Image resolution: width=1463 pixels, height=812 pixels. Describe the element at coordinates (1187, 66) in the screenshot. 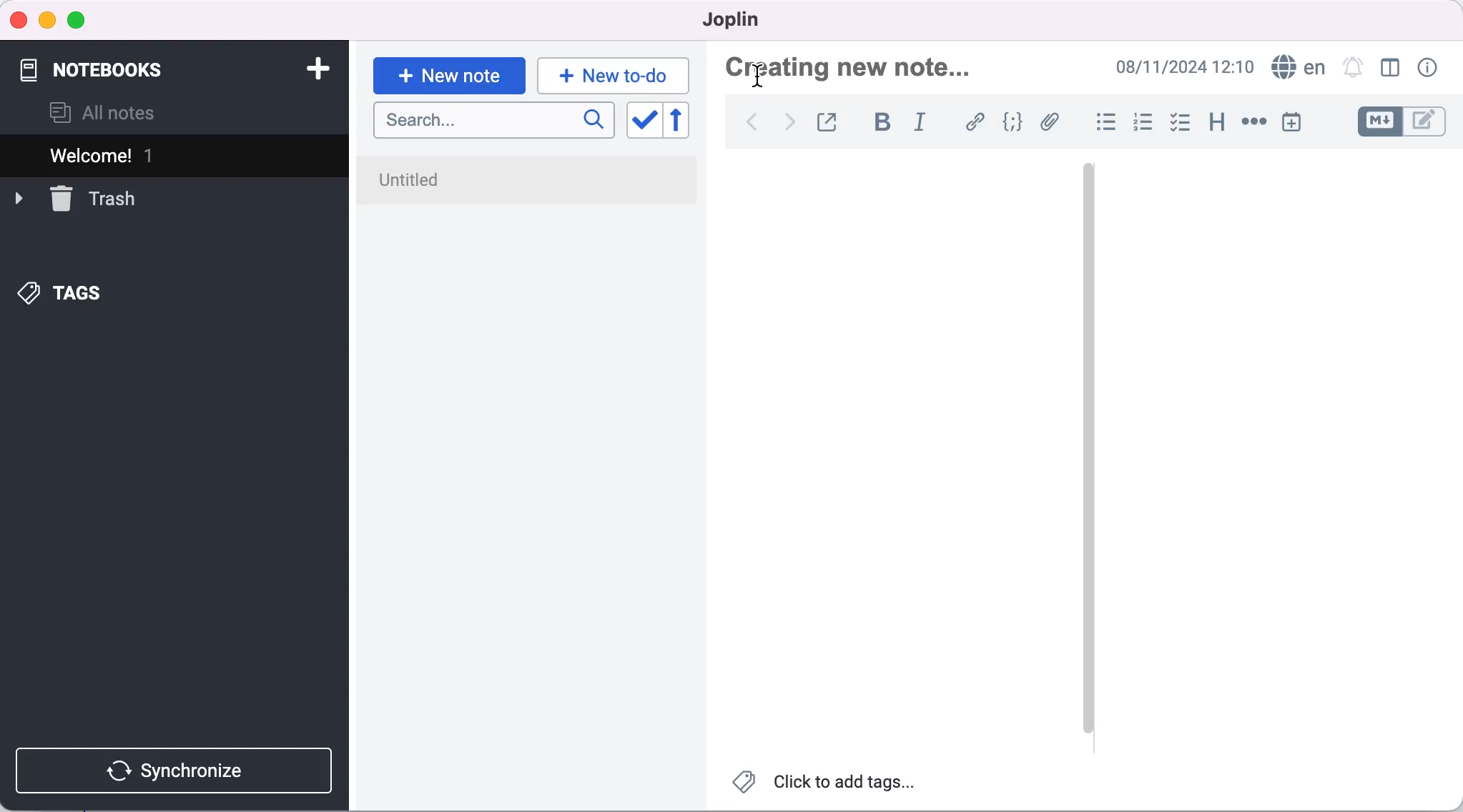

I see `time and date` at that location.